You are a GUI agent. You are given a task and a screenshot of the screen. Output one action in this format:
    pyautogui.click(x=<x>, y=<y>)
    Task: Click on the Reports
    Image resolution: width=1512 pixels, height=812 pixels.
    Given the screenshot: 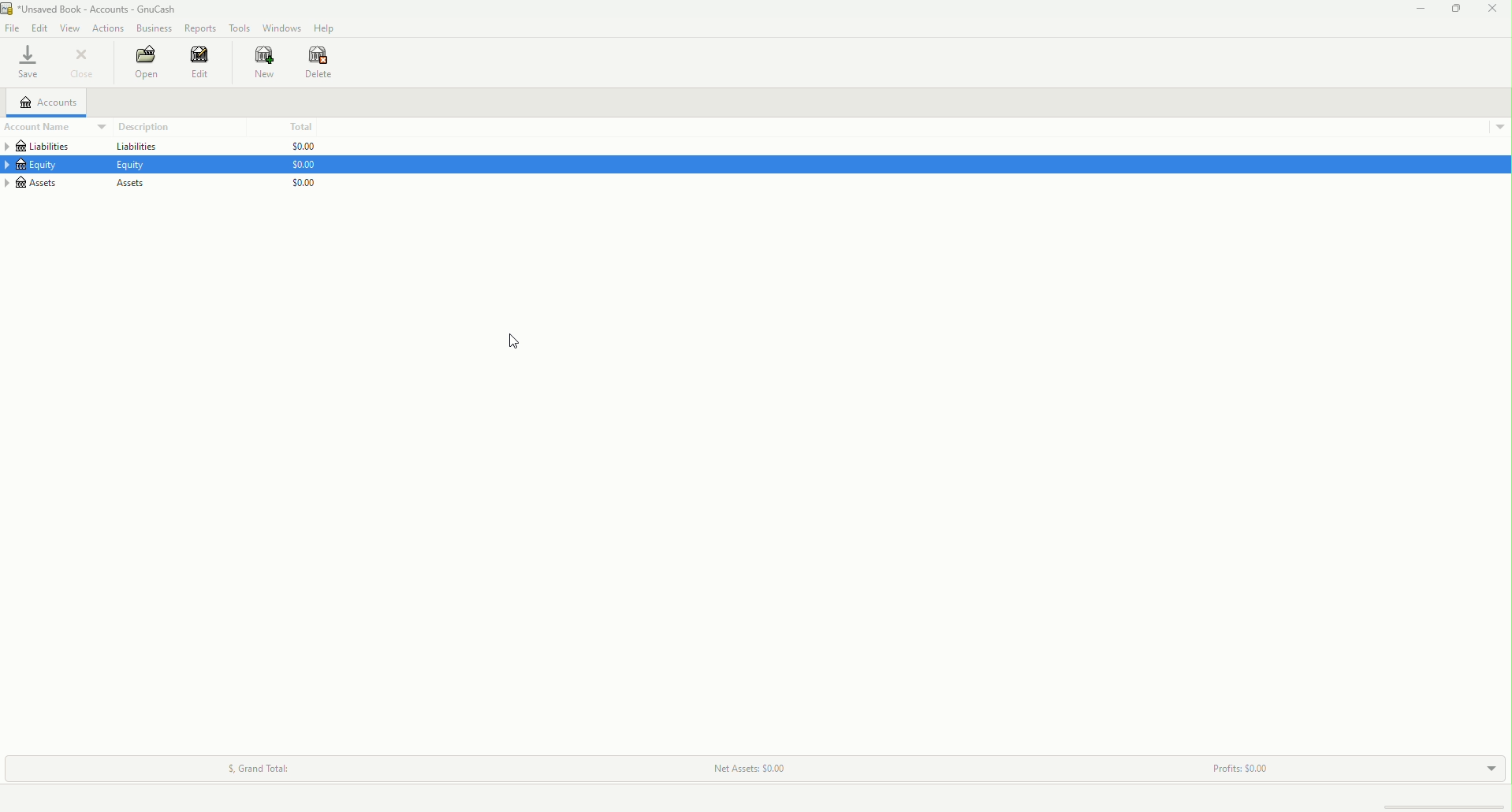 What is the action you would take?
    pyautogui.click(x=199, y=28)
    